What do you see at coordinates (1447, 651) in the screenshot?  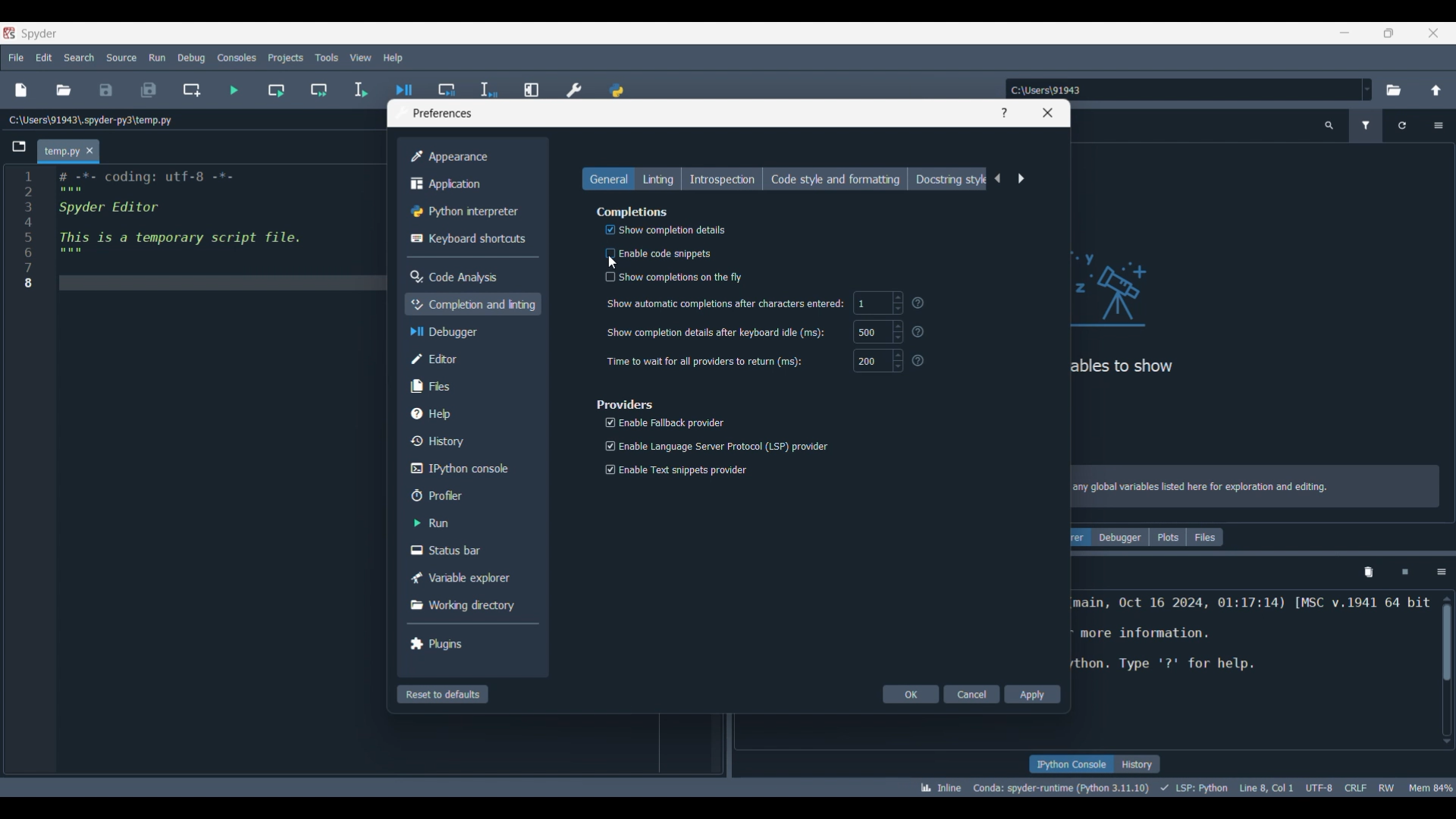 I see `Scrollbar` at bounding box center [1447, 651].